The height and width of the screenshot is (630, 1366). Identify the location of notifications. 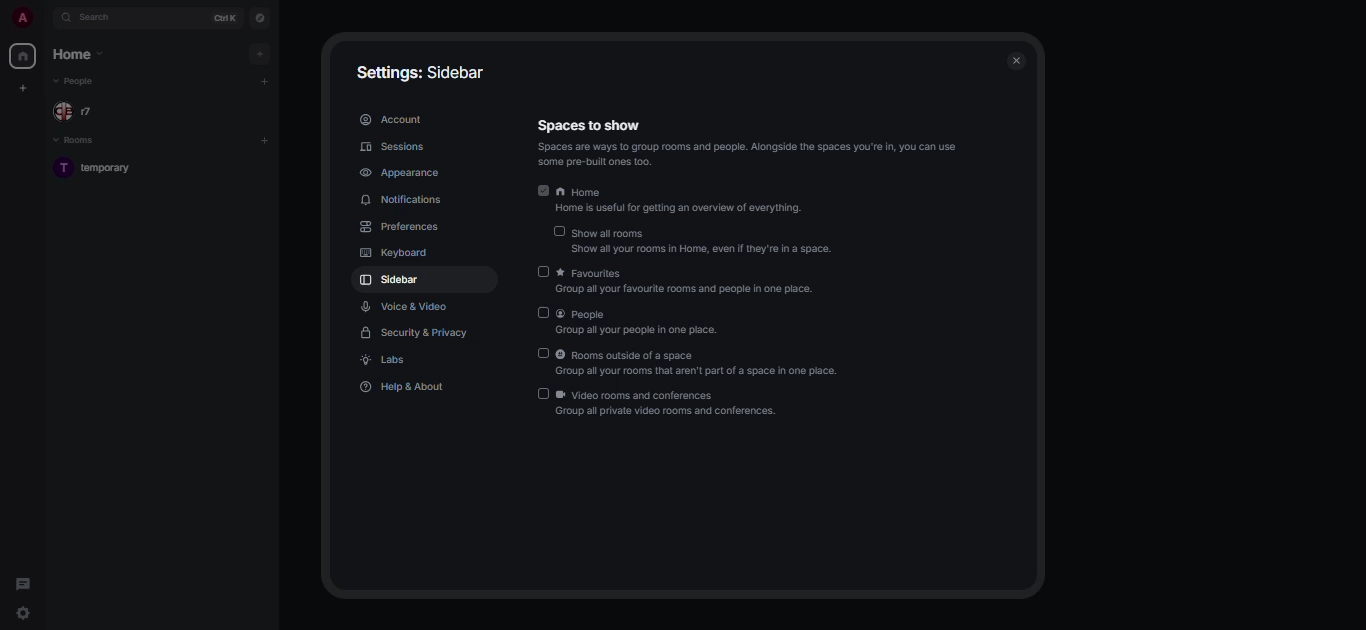
(406, 201).